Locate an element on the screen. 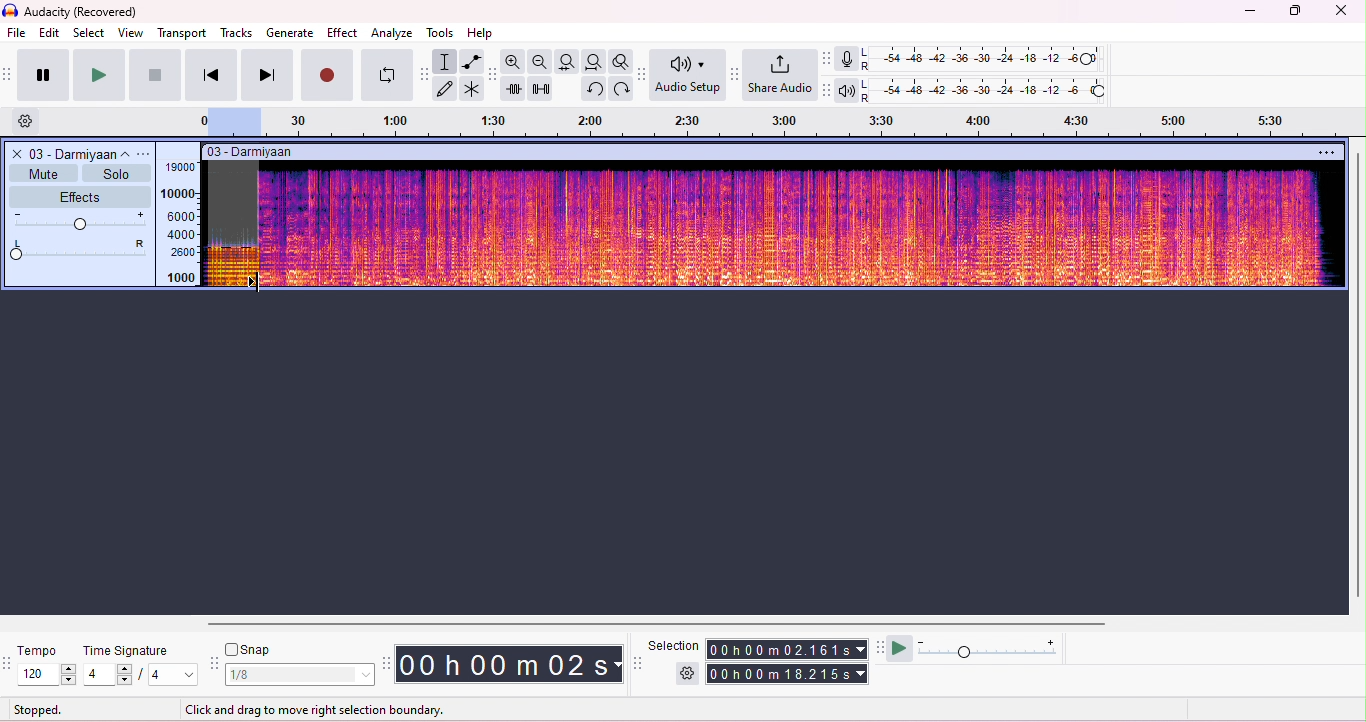  playback meter is located at coordinates (847, 90).